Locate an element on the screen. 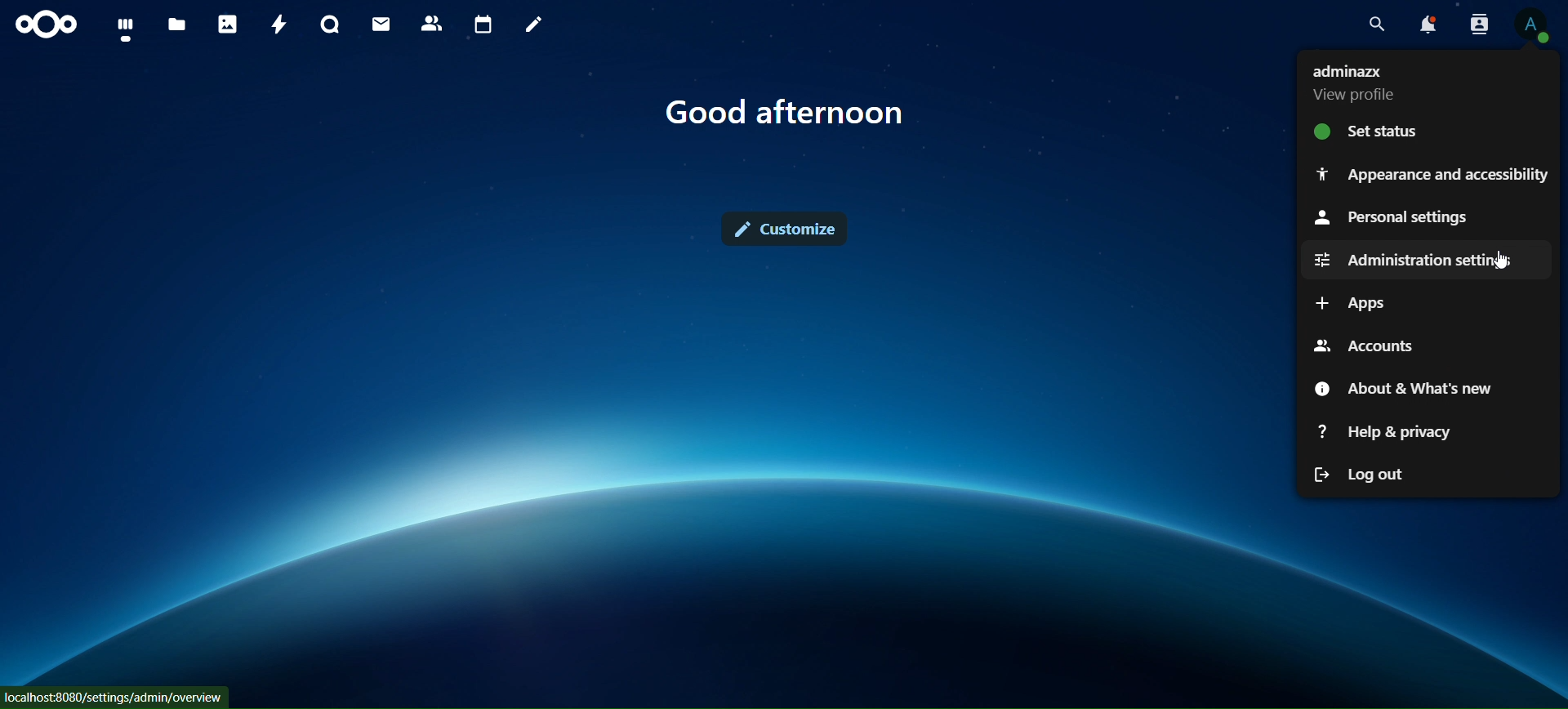 The image size is (1568, 709). notes is located at coordinates (534, 24).